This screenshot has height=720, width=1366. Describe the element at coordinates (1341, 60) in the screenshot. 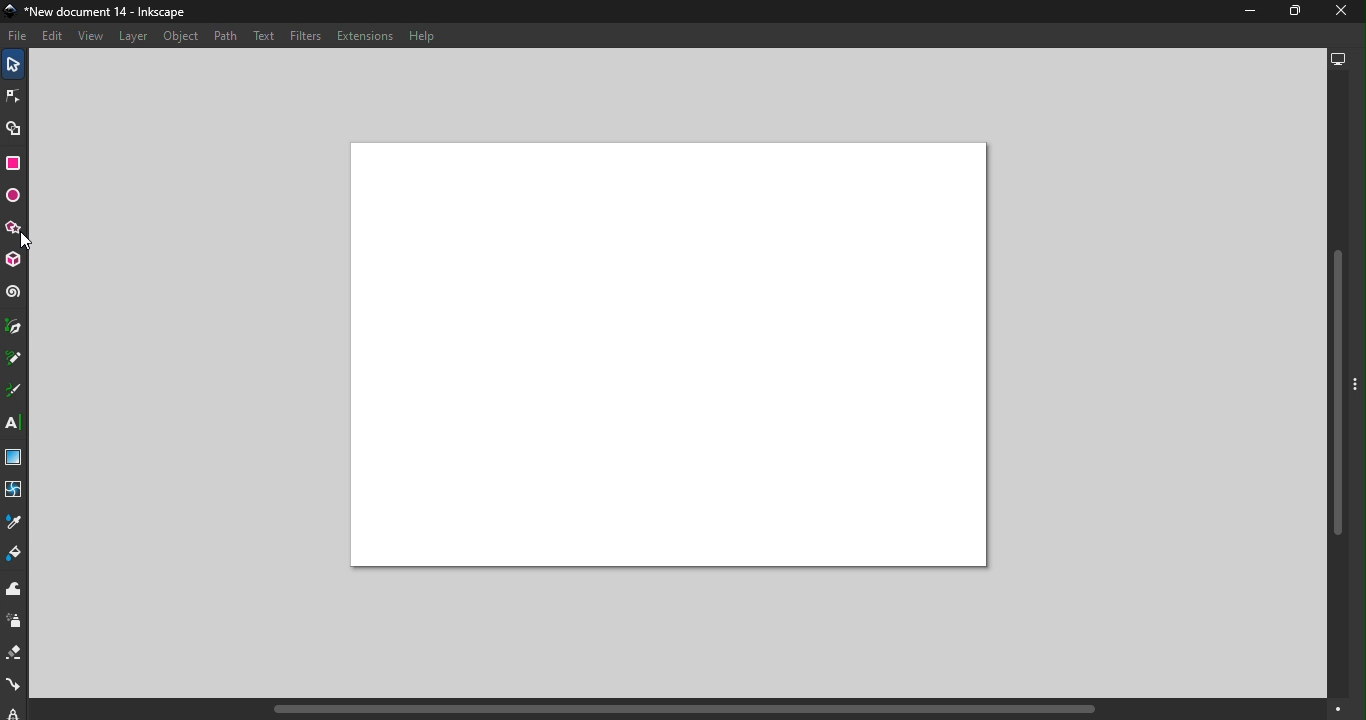

I see `Display options` at that location.